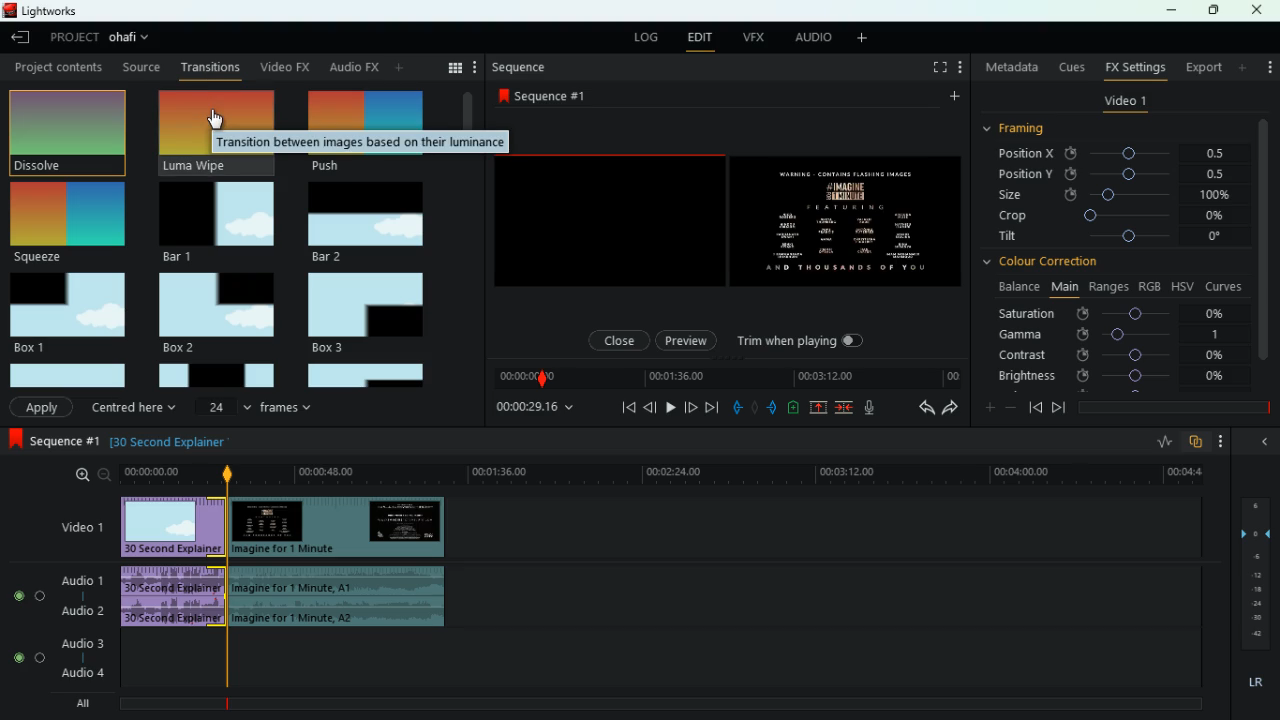 Image resolution: width=1280 pixels, height=720 pixels. What do you see at coordinates (85, 580) in the screenshot?
I see `audio 1` at bounding box center [85, 580].